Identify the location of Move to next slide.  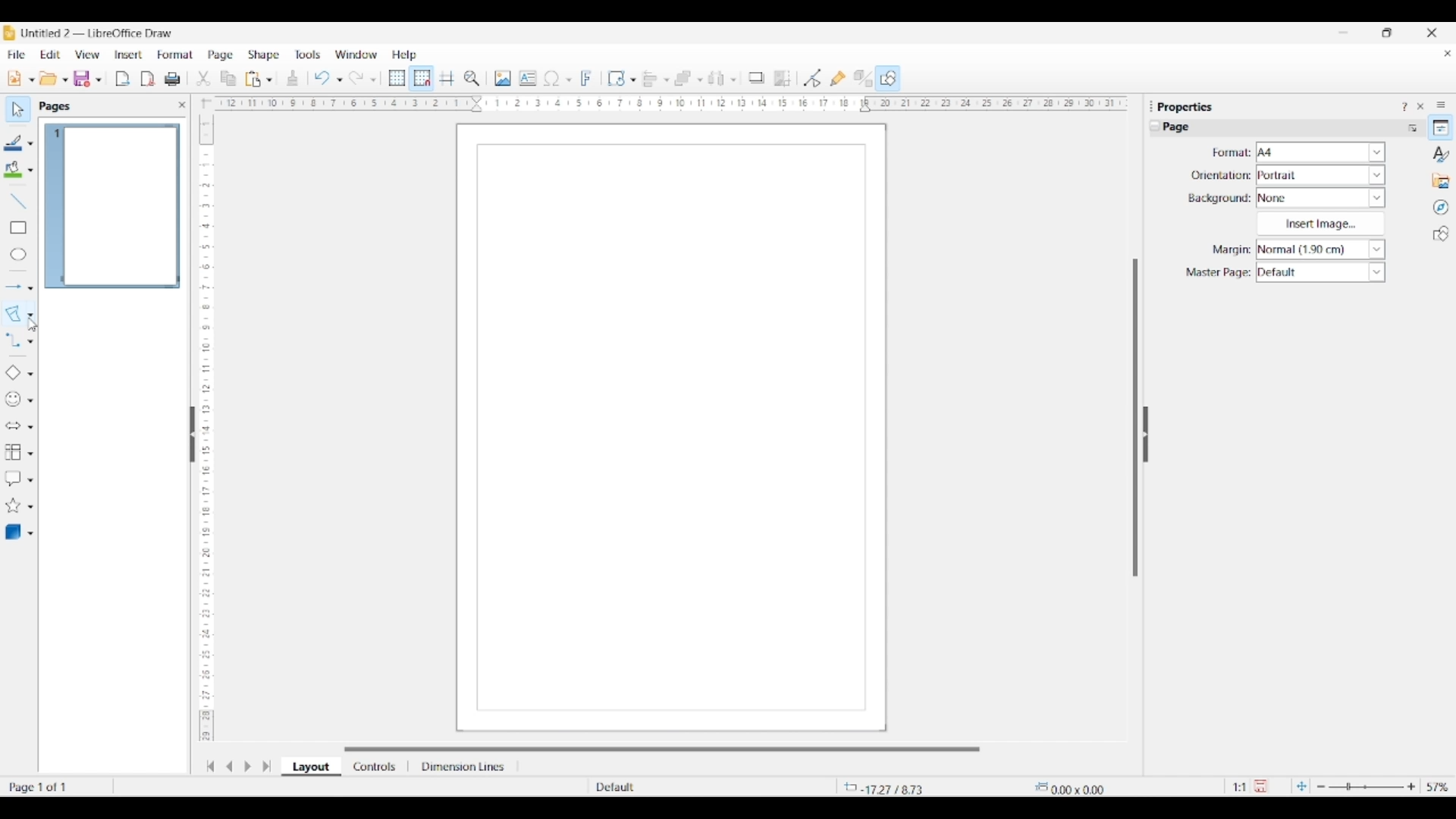
(247, 767).